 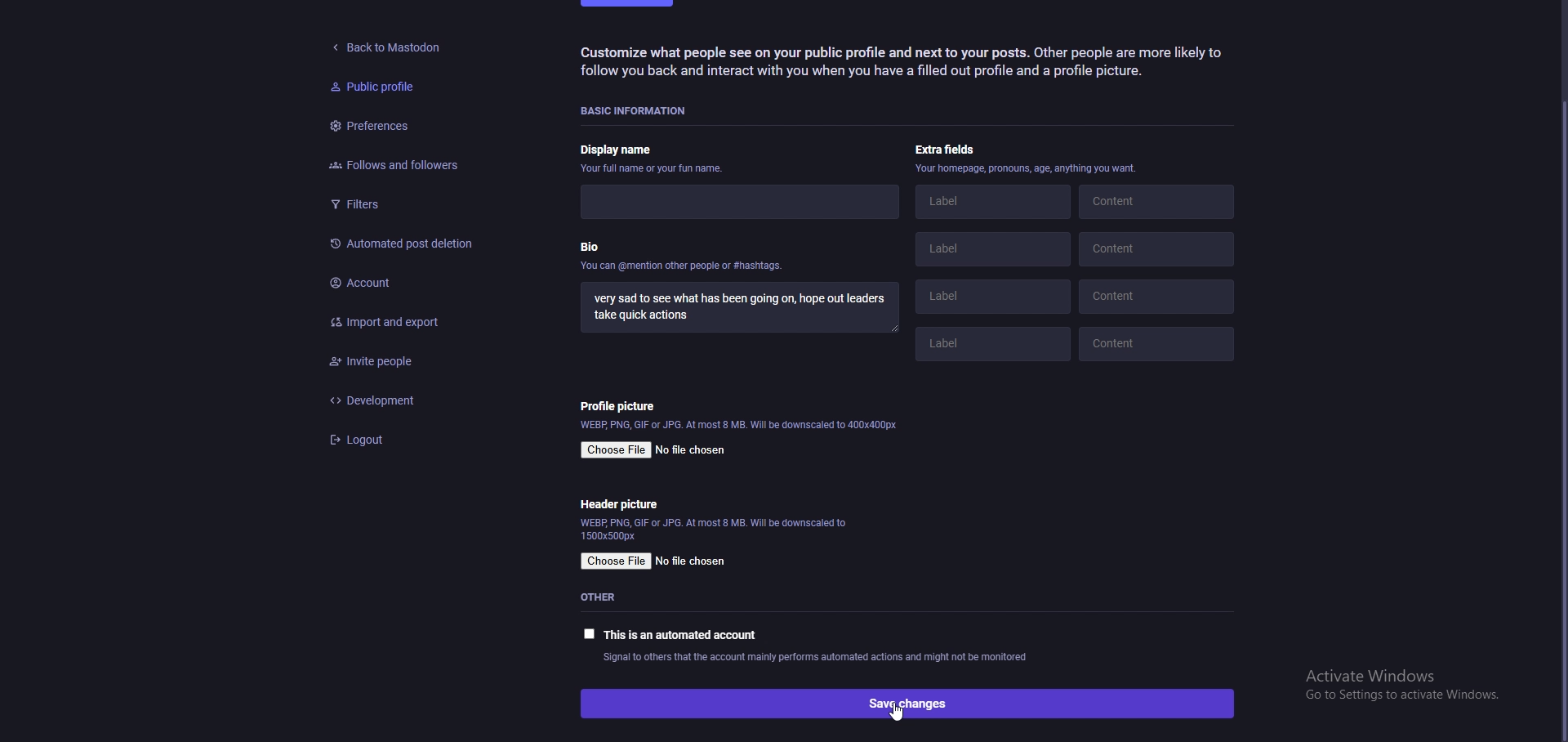 What do you see at coordinates (816, 658) in the screenshot?
I see `info` at bounding box center [816, 658].